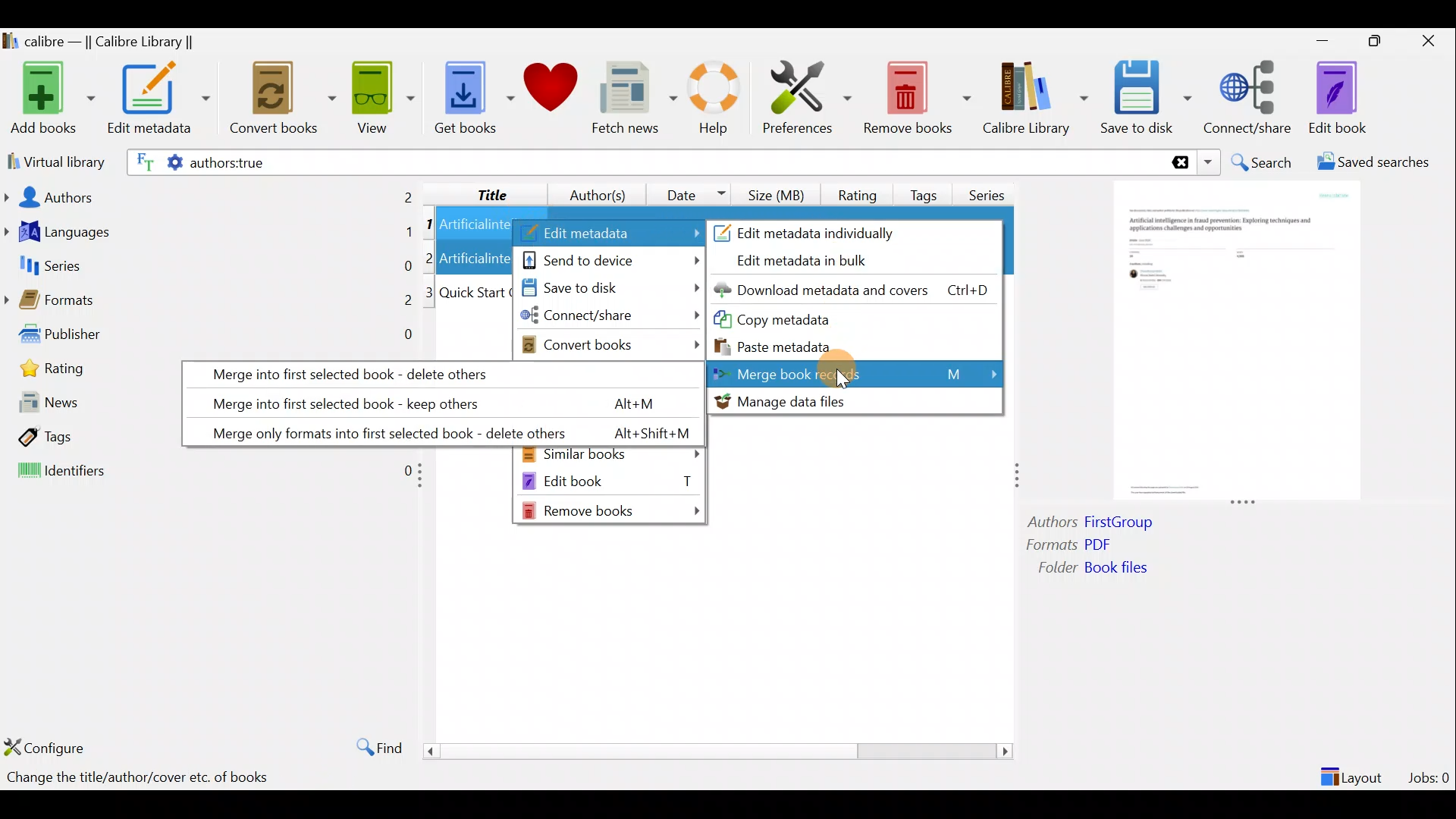  I want to click on Tags, so click(927, 189).